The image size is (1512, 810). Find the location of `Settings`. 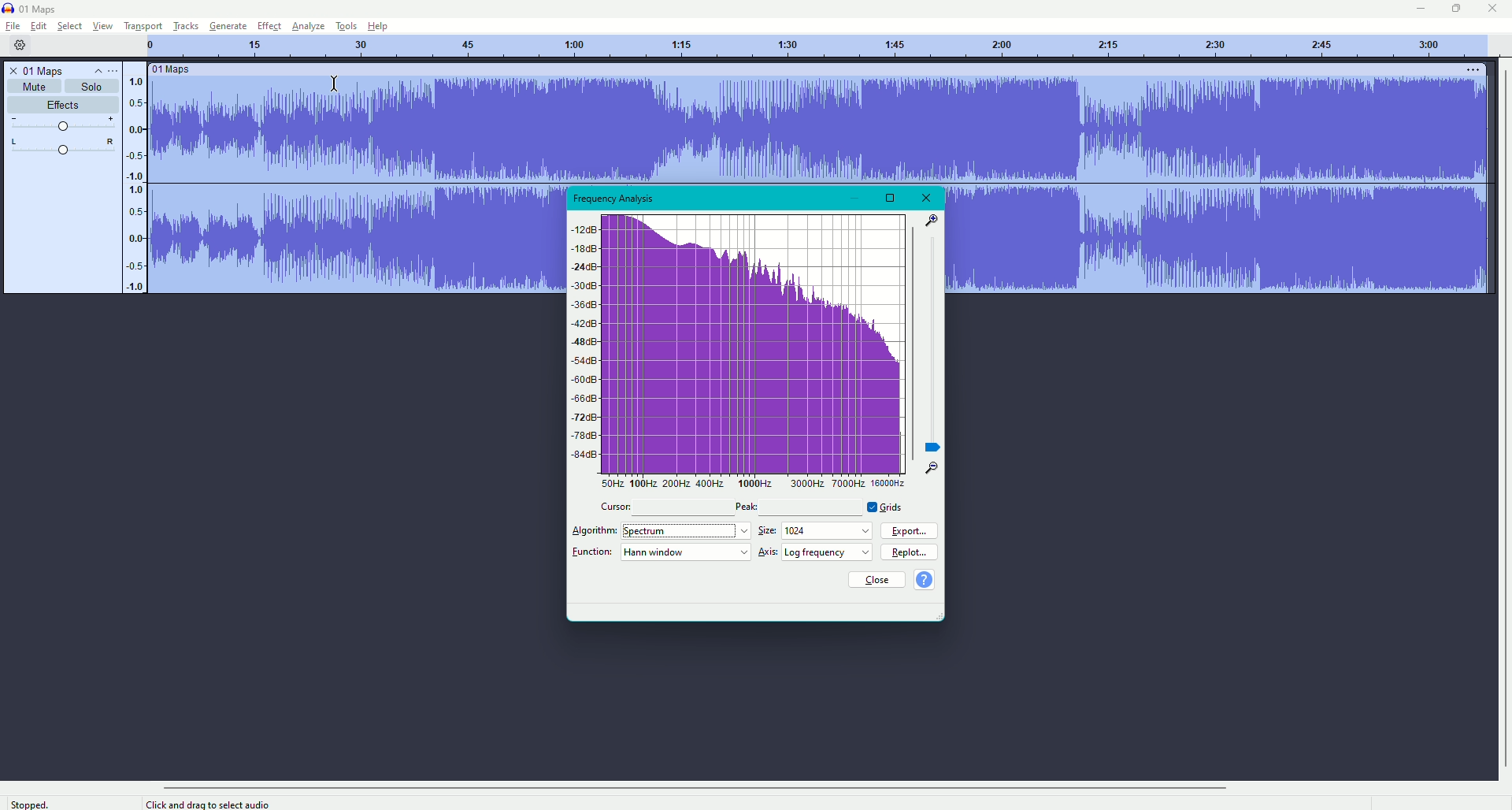

Settings is located at coordinates (19, 45).